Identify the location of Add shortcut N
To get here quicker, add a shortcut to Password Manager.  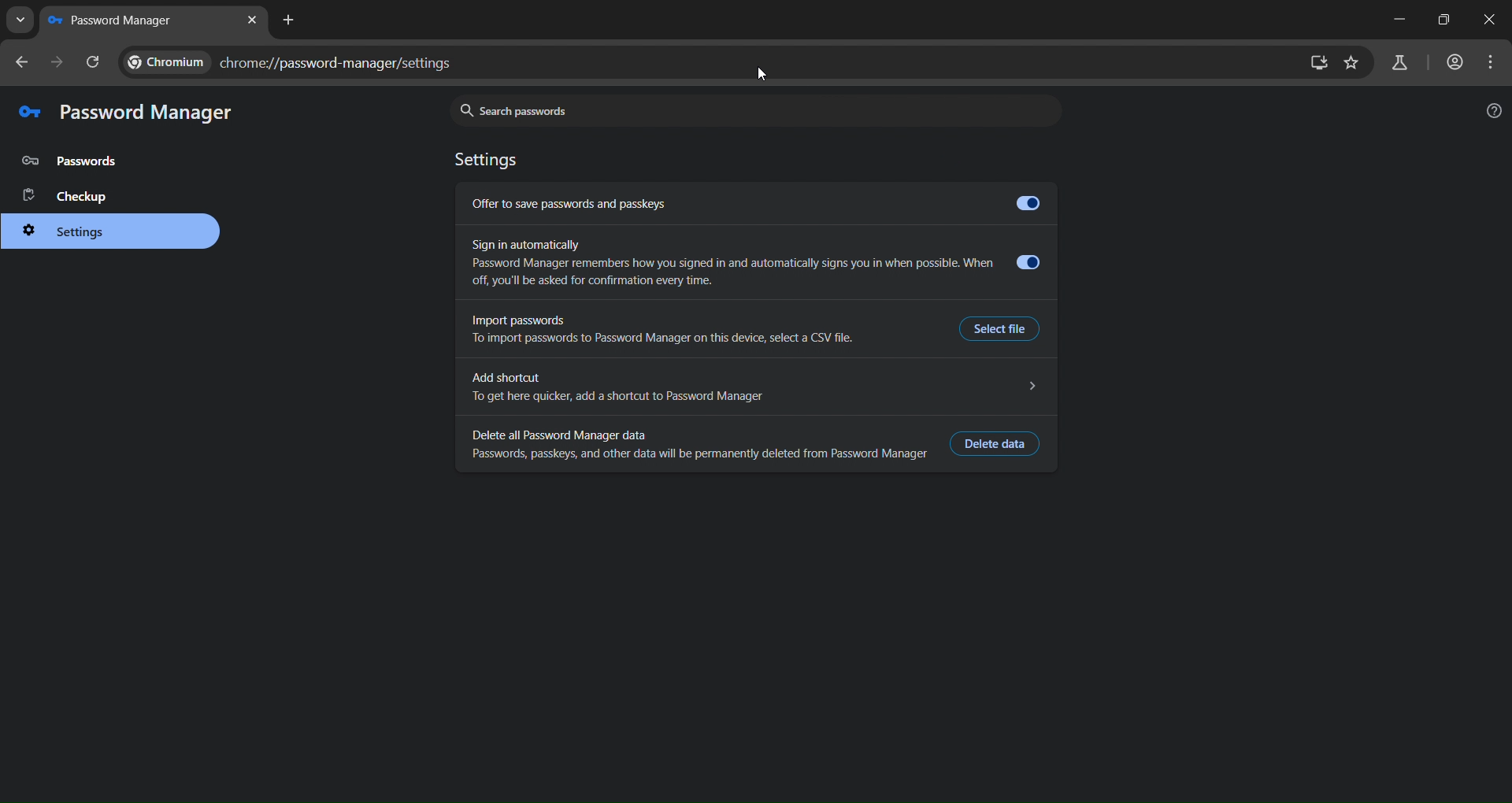
(757, 385).